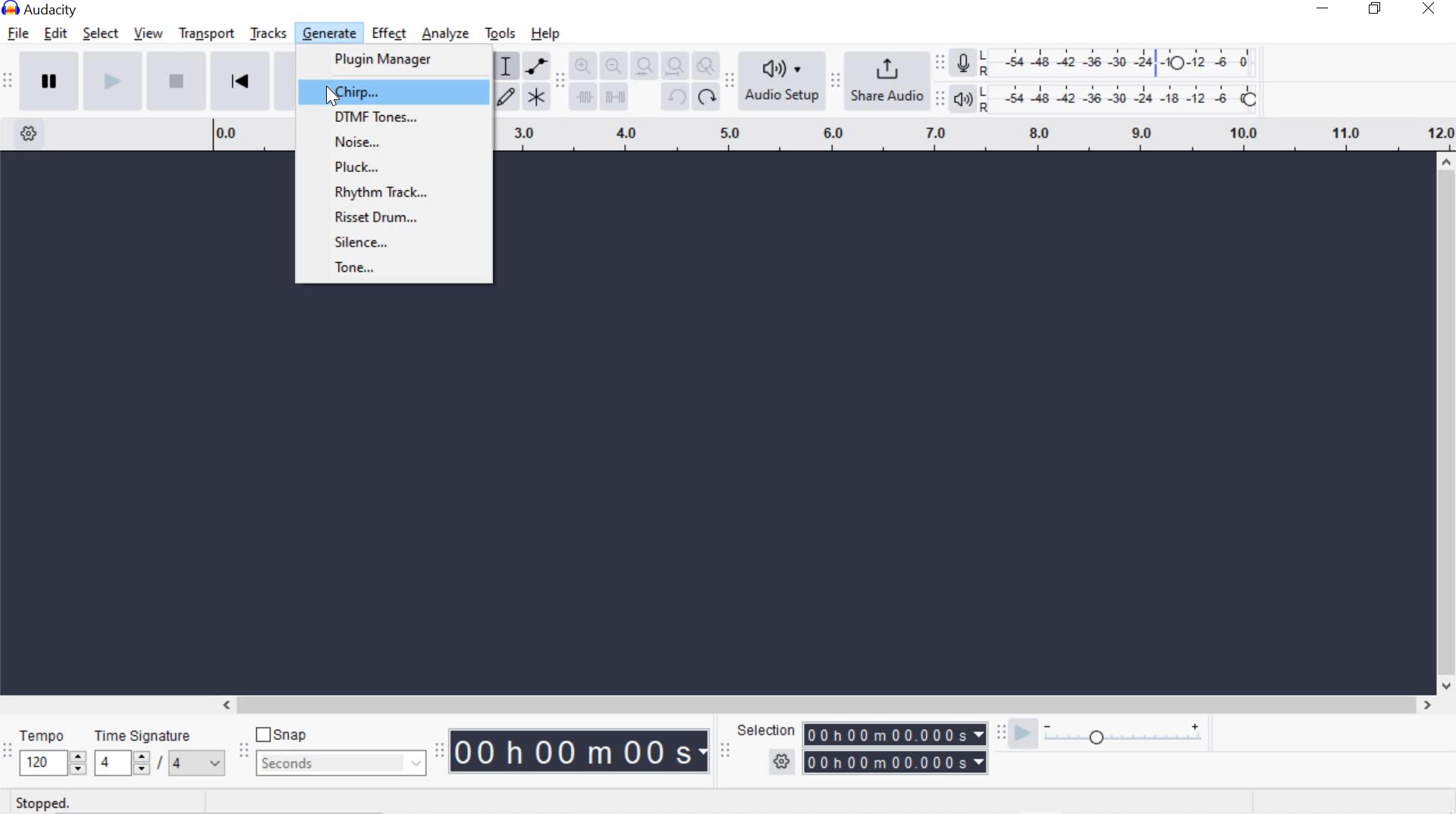 The height and width of the screenshot is (814, 1456). What do you see at coordinates (45, 803) in the screenshot?
I see `stopped` at bounding box center [45, 803].